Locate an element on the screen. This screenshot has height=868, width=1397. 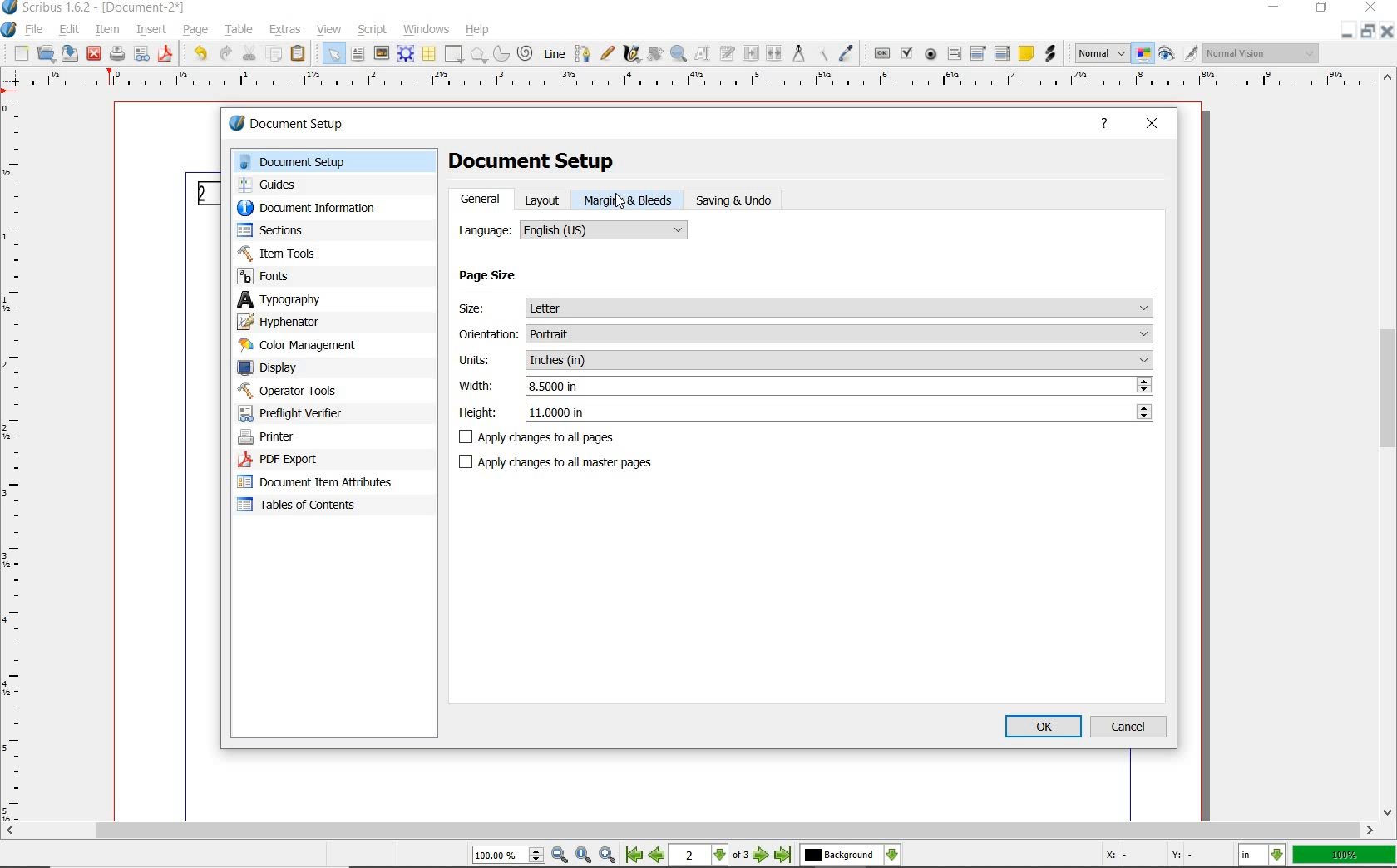
layout is located at coordinates (545, 200).